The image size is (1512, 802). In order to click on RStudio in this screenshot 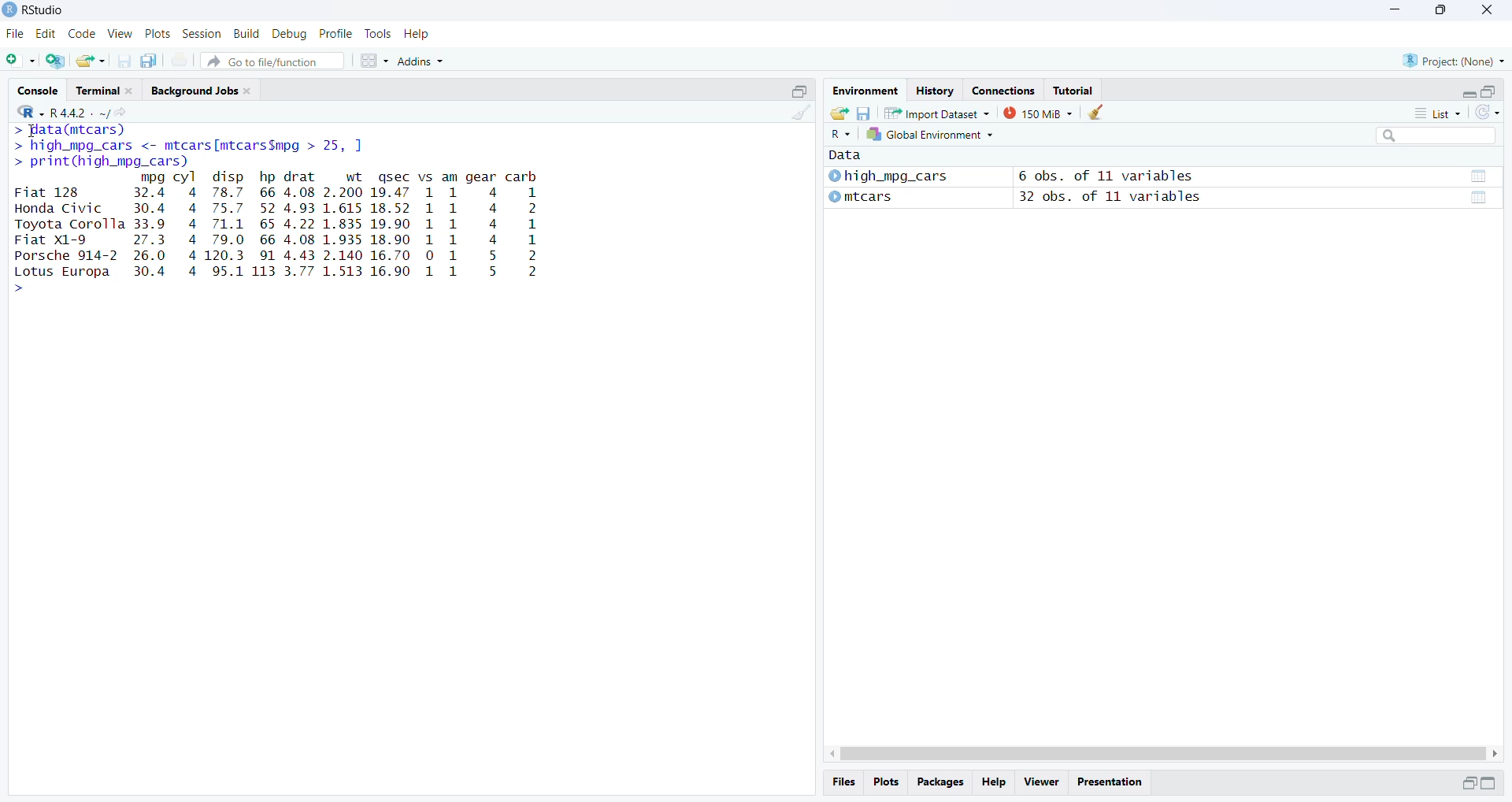, I will do `click(43, 9)`.